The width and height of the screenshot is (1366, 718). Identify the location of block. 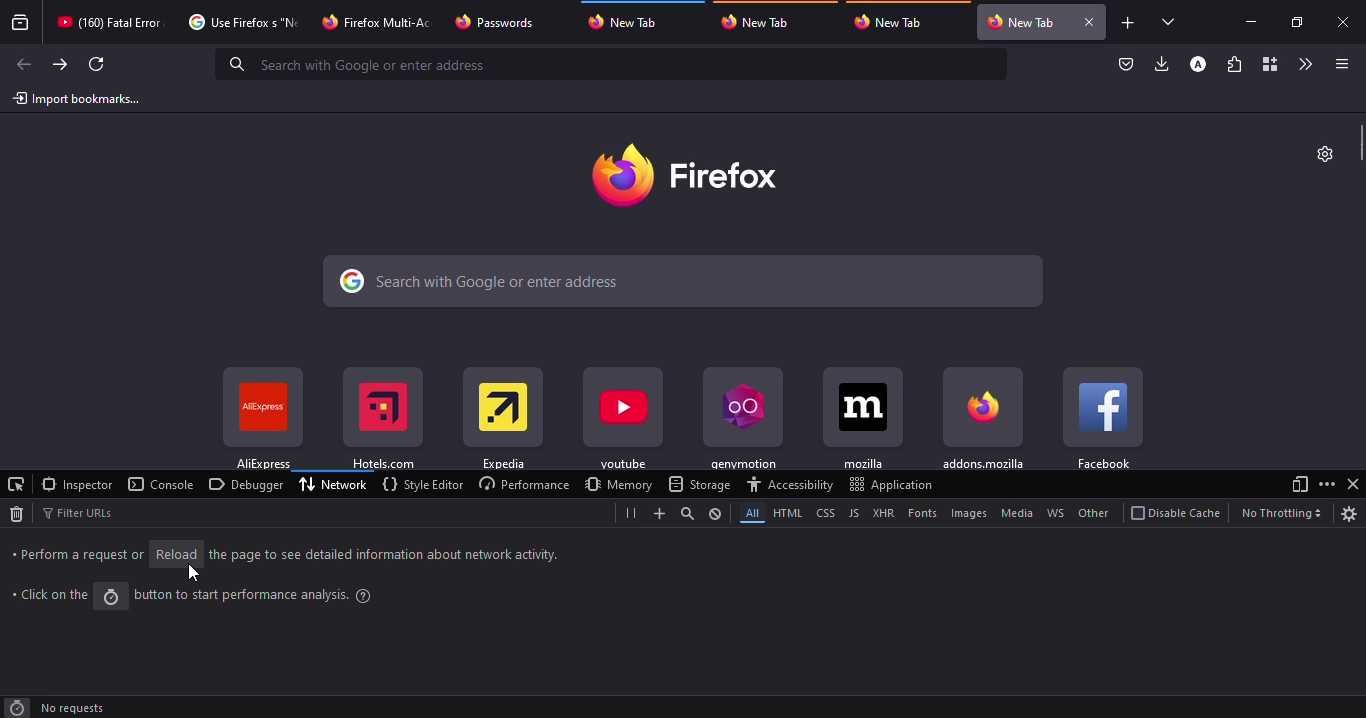
(715, 513).